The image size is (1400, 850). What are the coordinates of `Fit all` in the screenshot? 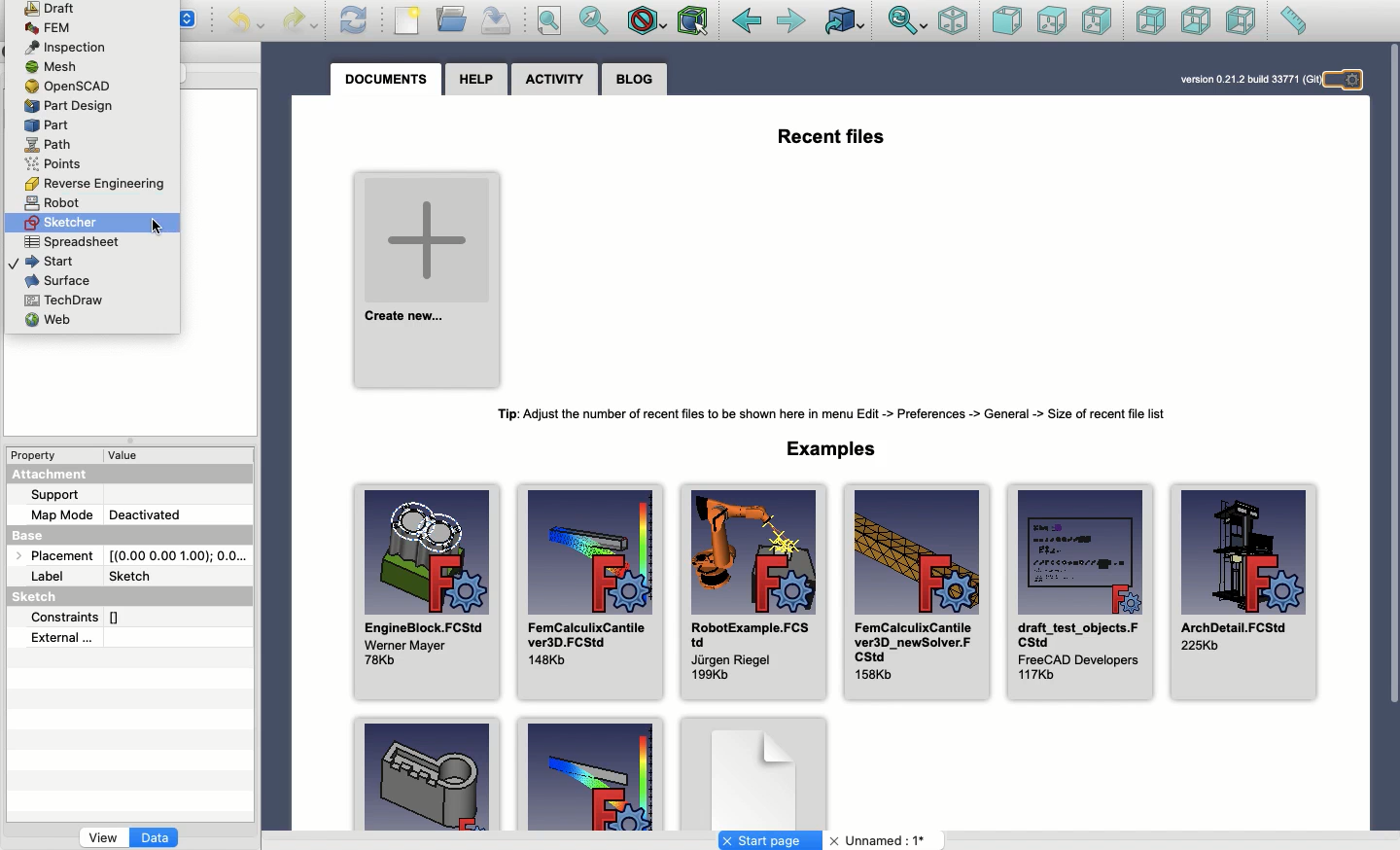 It's located at (548, 21).